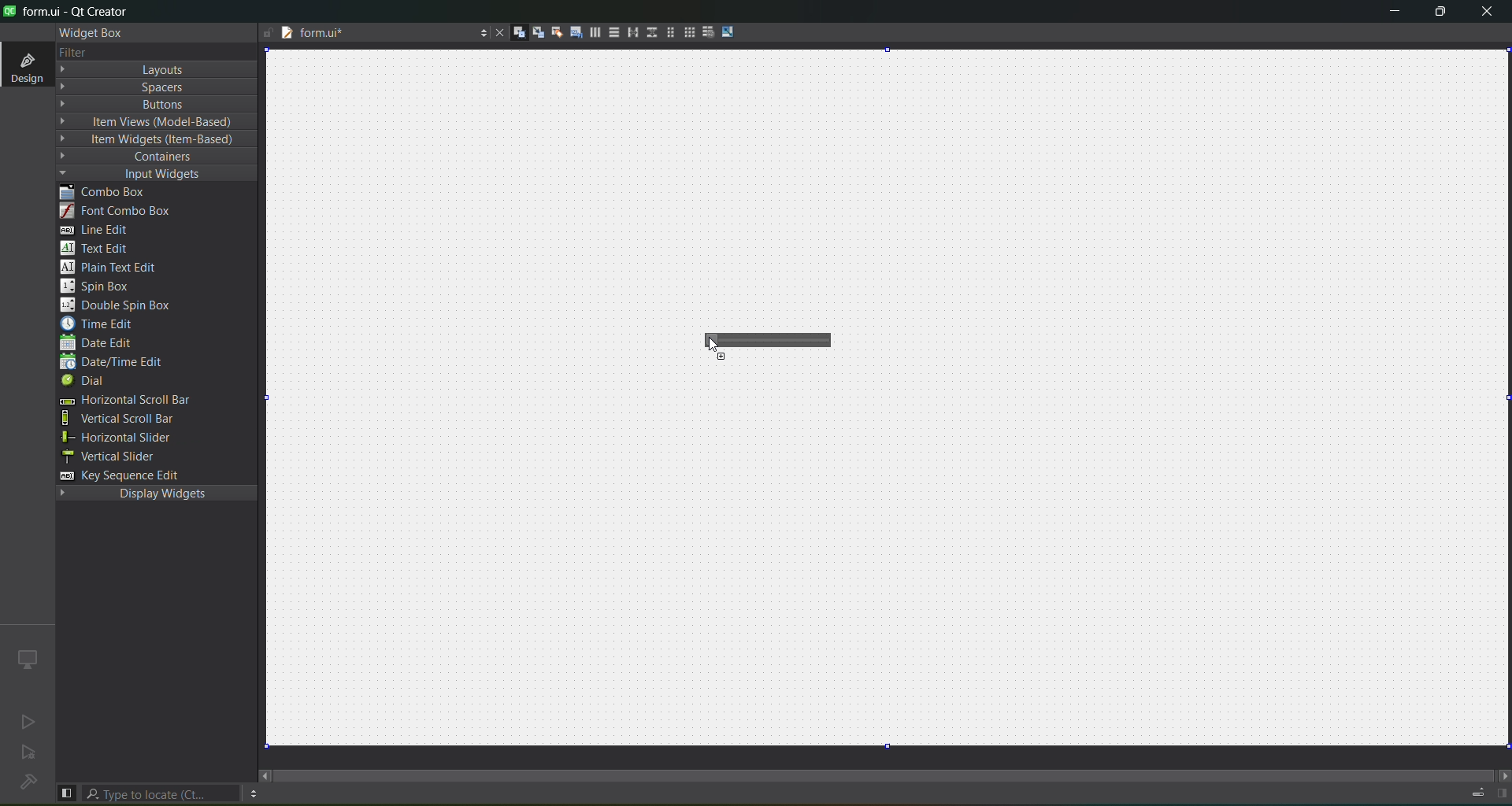 This screenshot has width=1512, height=806. What do you see at coordinates (153, 497) in the screenshot?
I see `display widgets` at bounding box center [153, 497].